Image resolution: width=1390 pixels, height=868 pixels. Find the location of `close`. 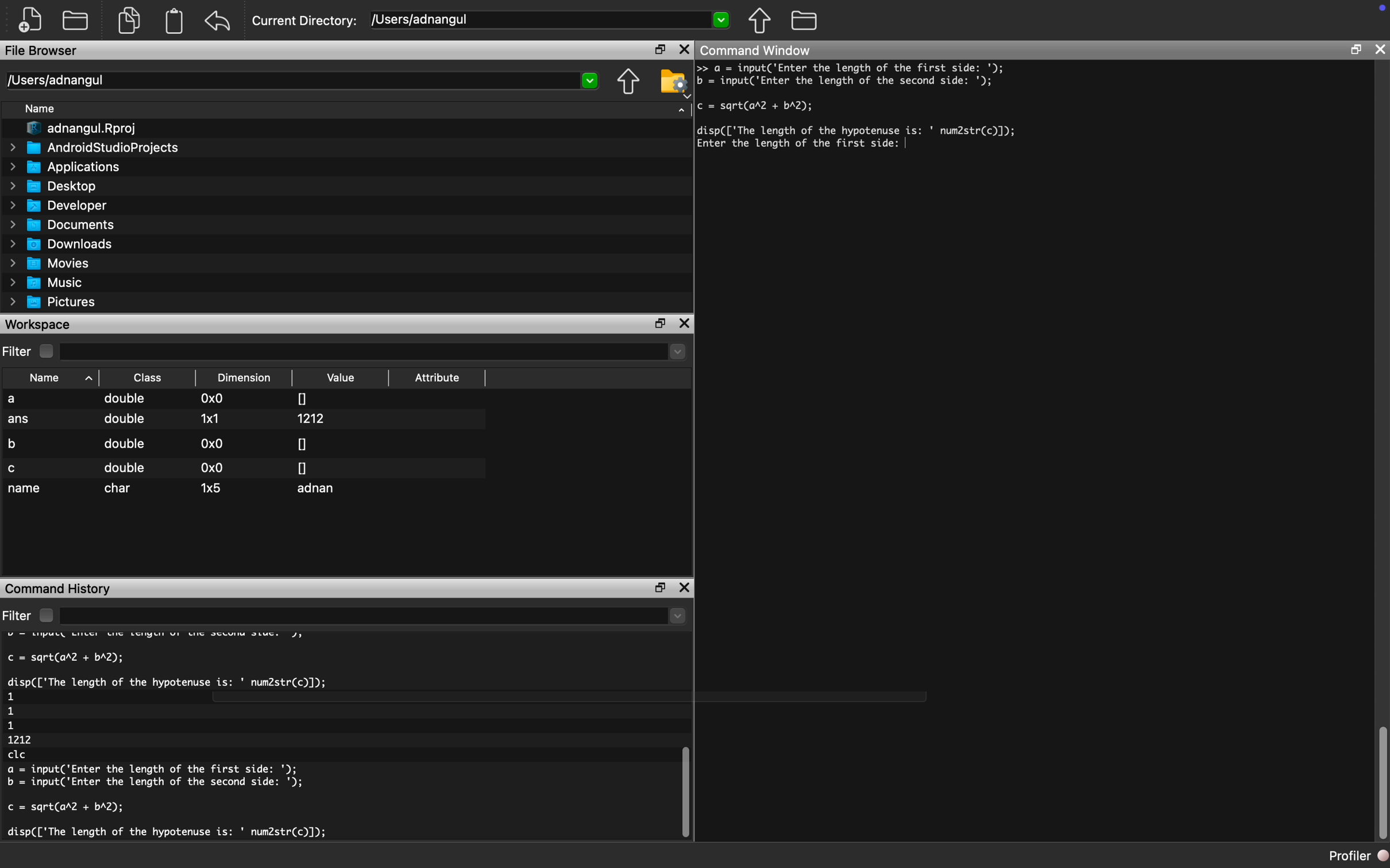

close is located at coordinates (684, 50).